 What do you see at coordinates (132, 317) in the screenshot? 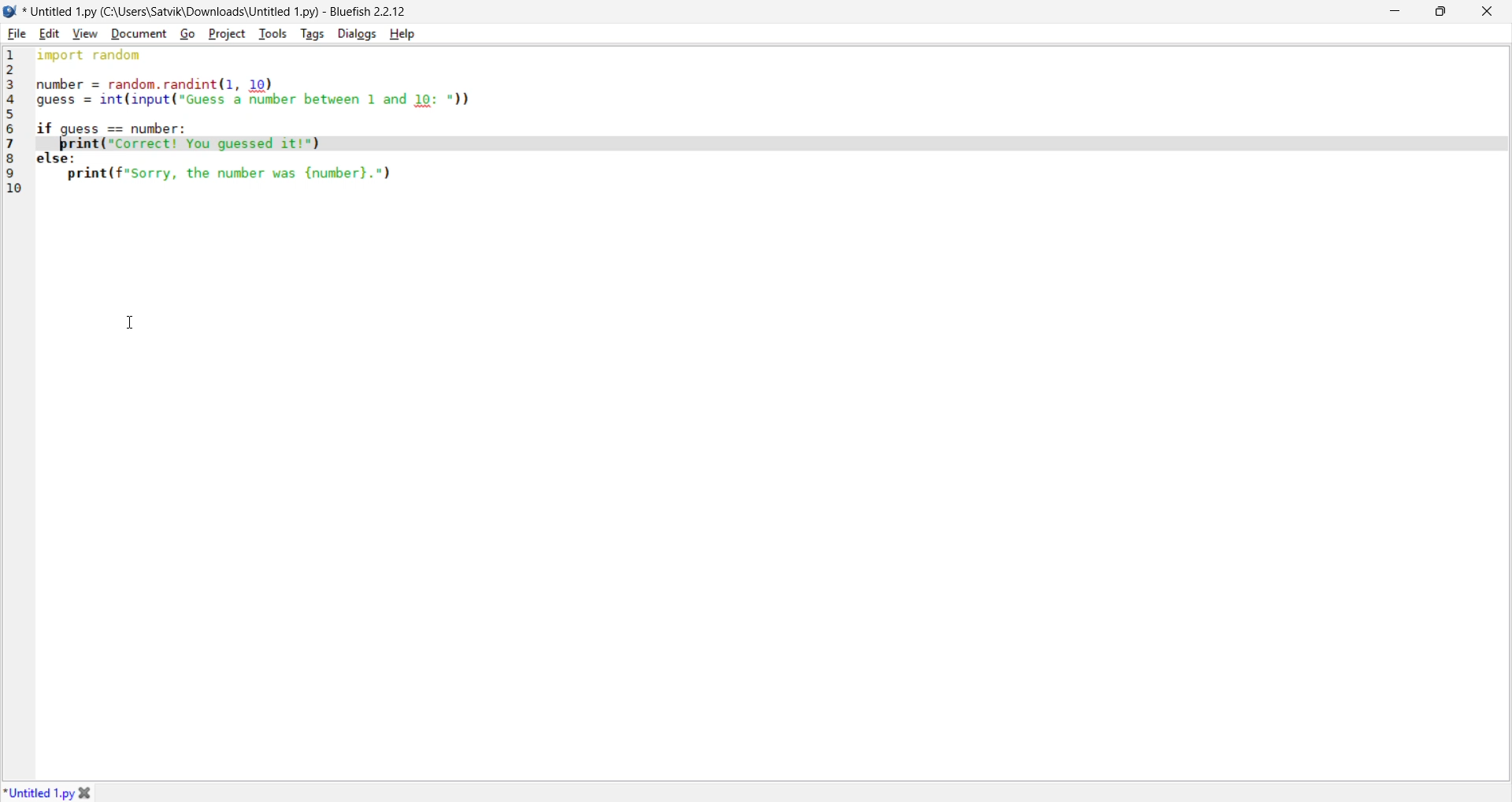
I see `cursor` at bounding box center [132, 317].